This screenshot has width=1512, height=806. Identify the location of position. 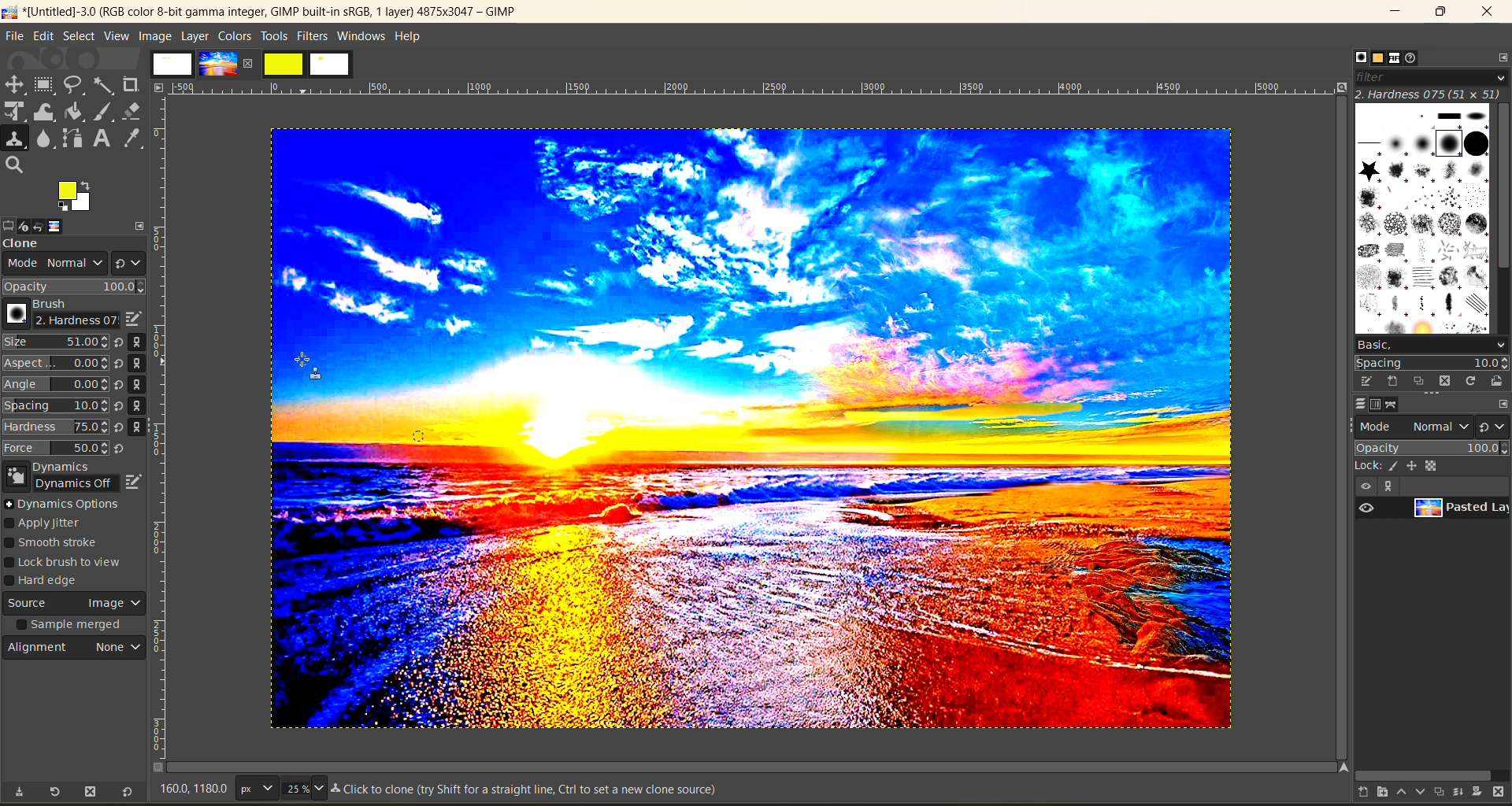
(1414, 465).